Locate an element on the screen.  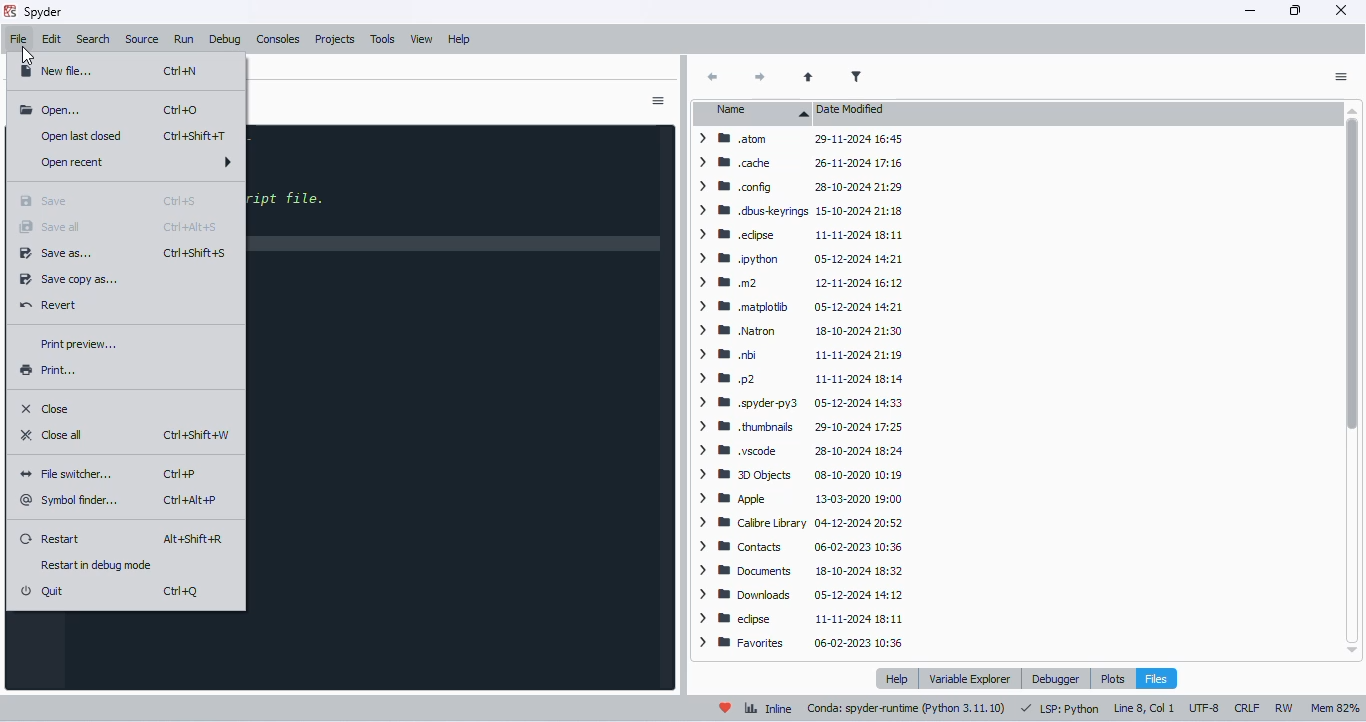
filter is located at coordinates (855, 75).